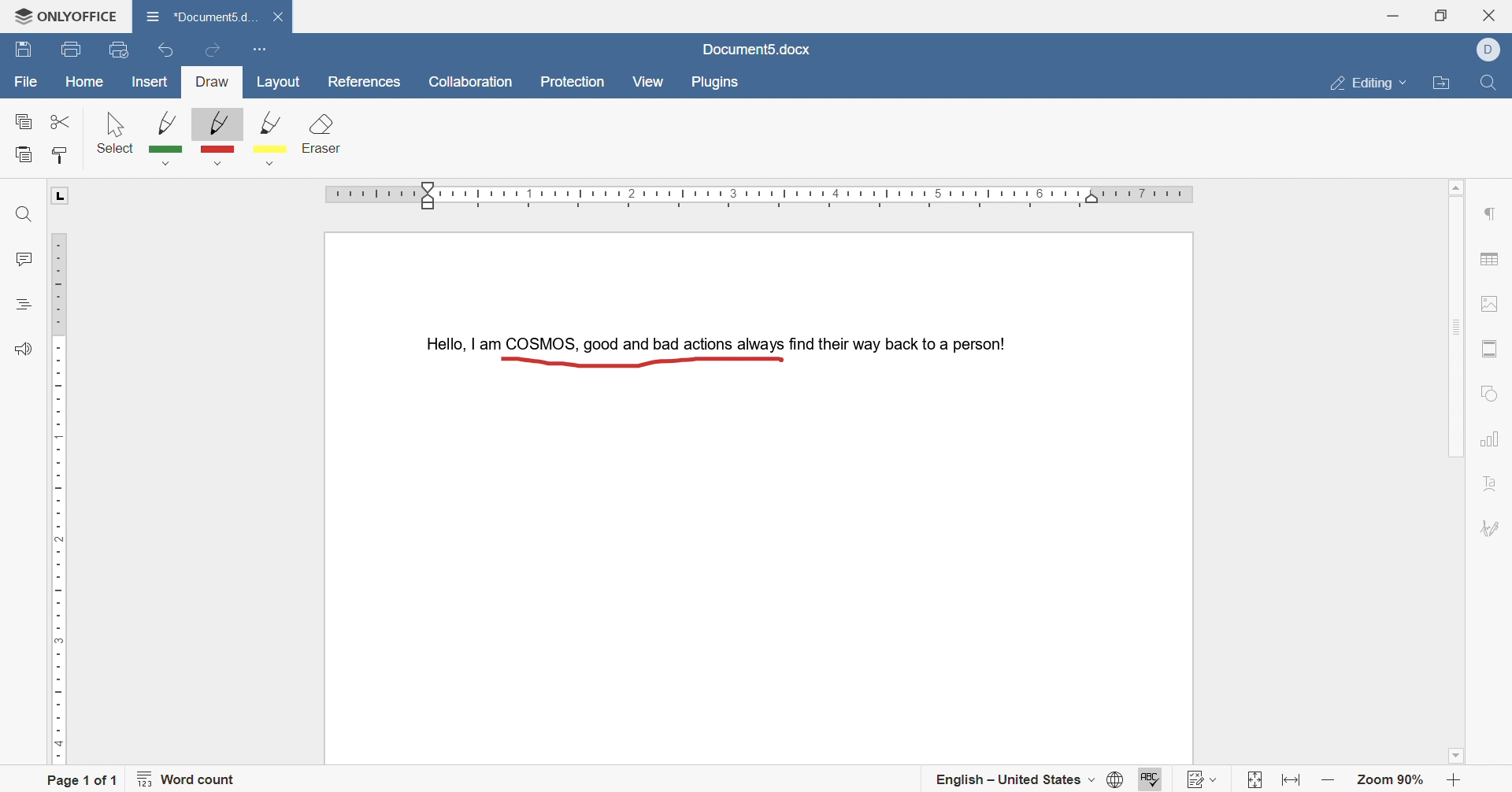 The height and width of the screenshot is (792, 1512). What do you see at coordinates (1444, 85) in the screenshot?
I see `open file location` at bounding box center [1444, 85].